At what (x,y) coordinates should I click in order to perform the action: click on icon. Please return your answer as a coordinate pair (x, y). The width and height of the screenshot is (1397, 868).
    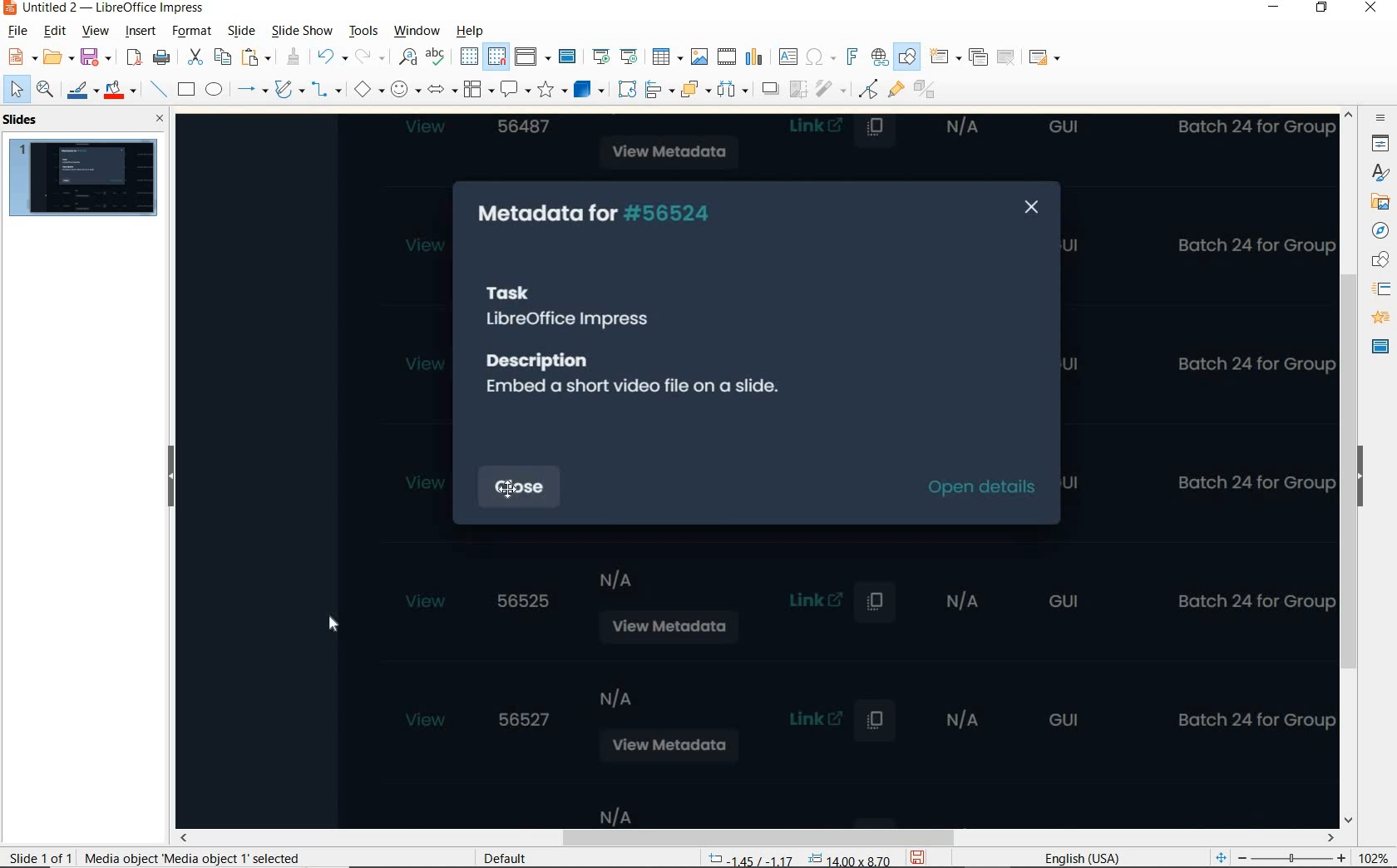
    Looking at the image, I should click on (772, 89).